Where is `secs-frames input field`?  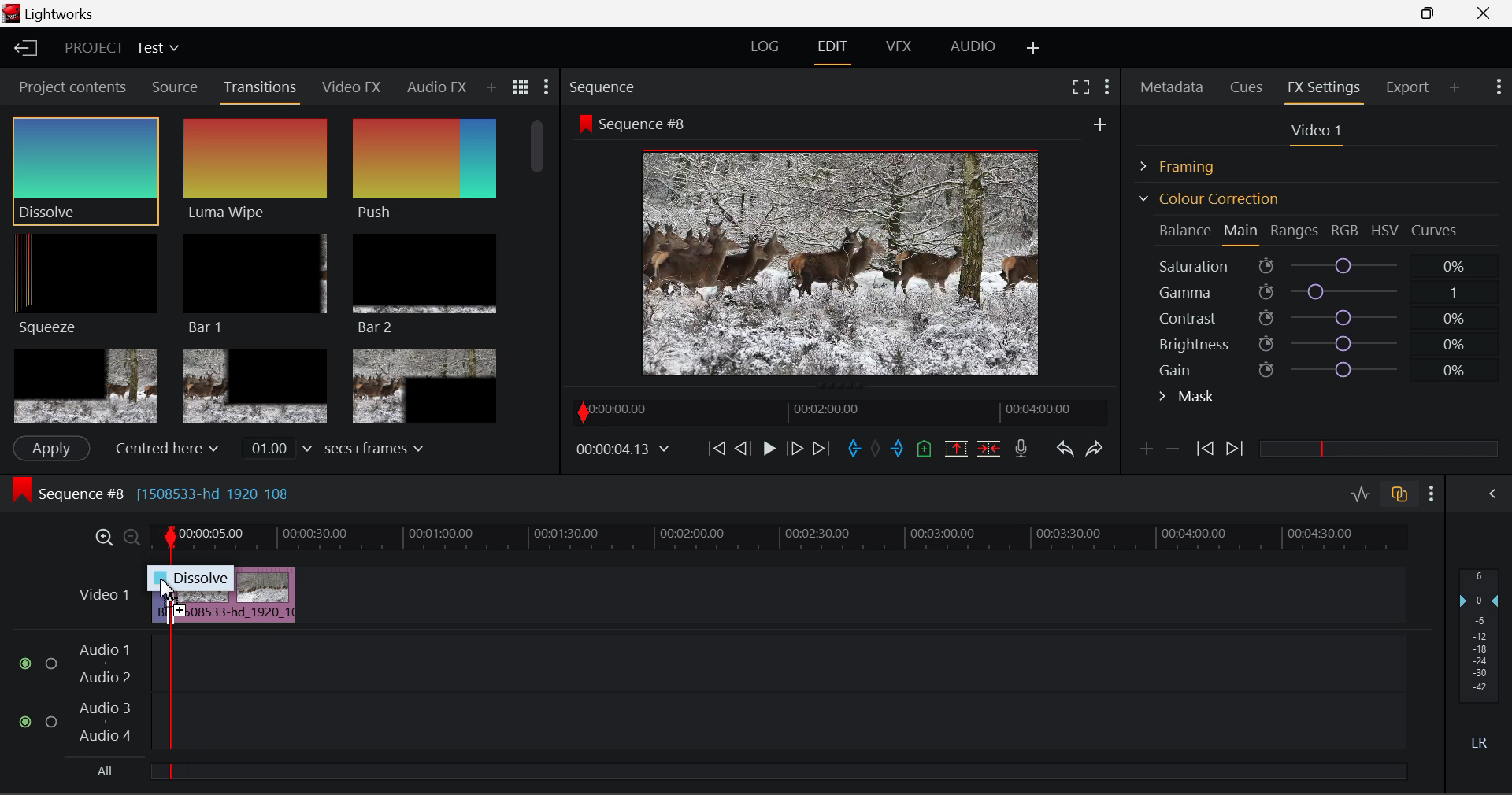
secs-frames input field is located at coordinates (335, 447).